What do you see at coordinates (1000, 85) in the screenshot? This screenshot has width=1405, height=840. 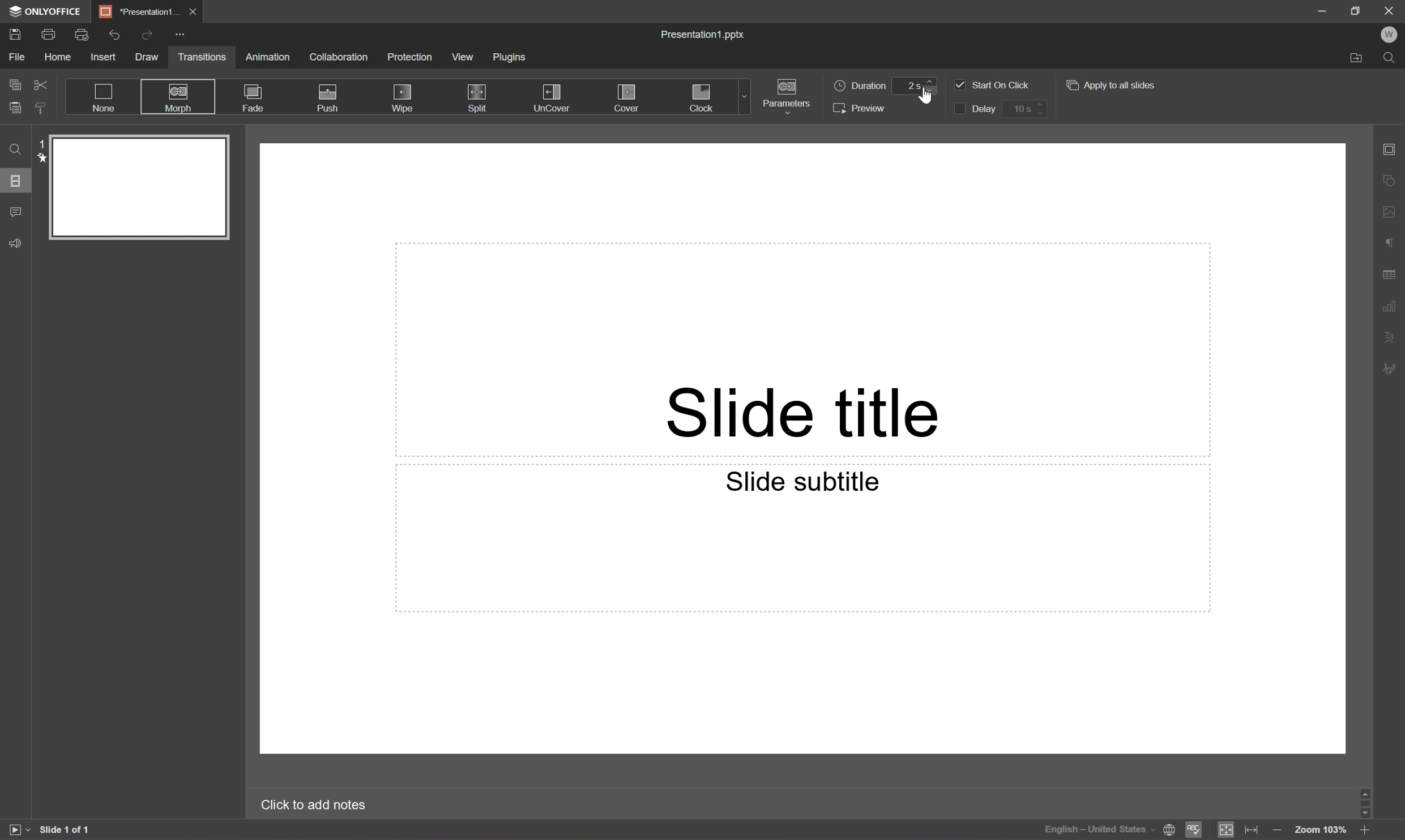 I see `Start on click` at bounding box center [1000, 85].